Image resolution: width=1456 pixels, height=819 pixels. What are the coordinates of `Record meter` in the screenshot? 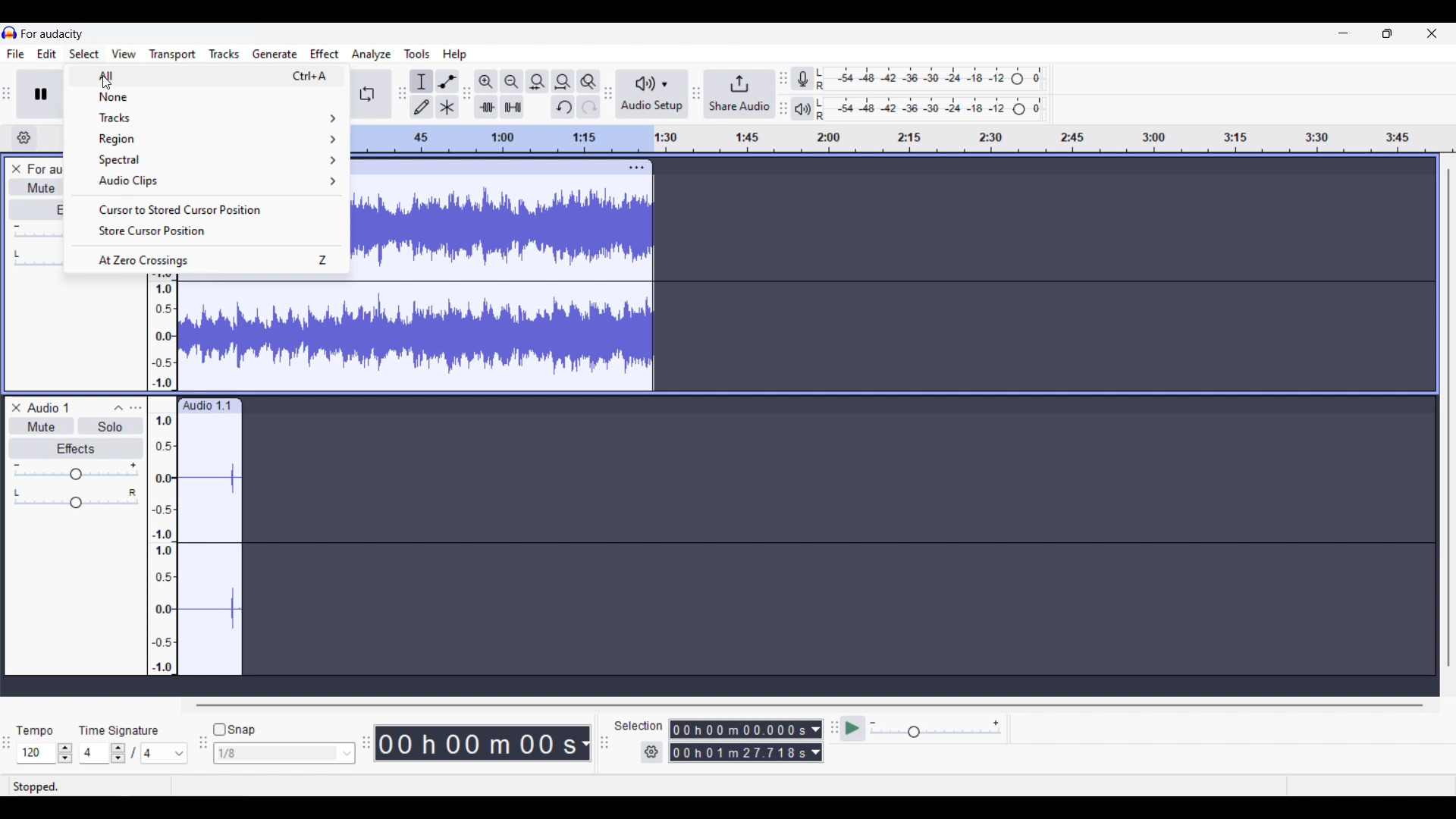 It's located at (802, 78).